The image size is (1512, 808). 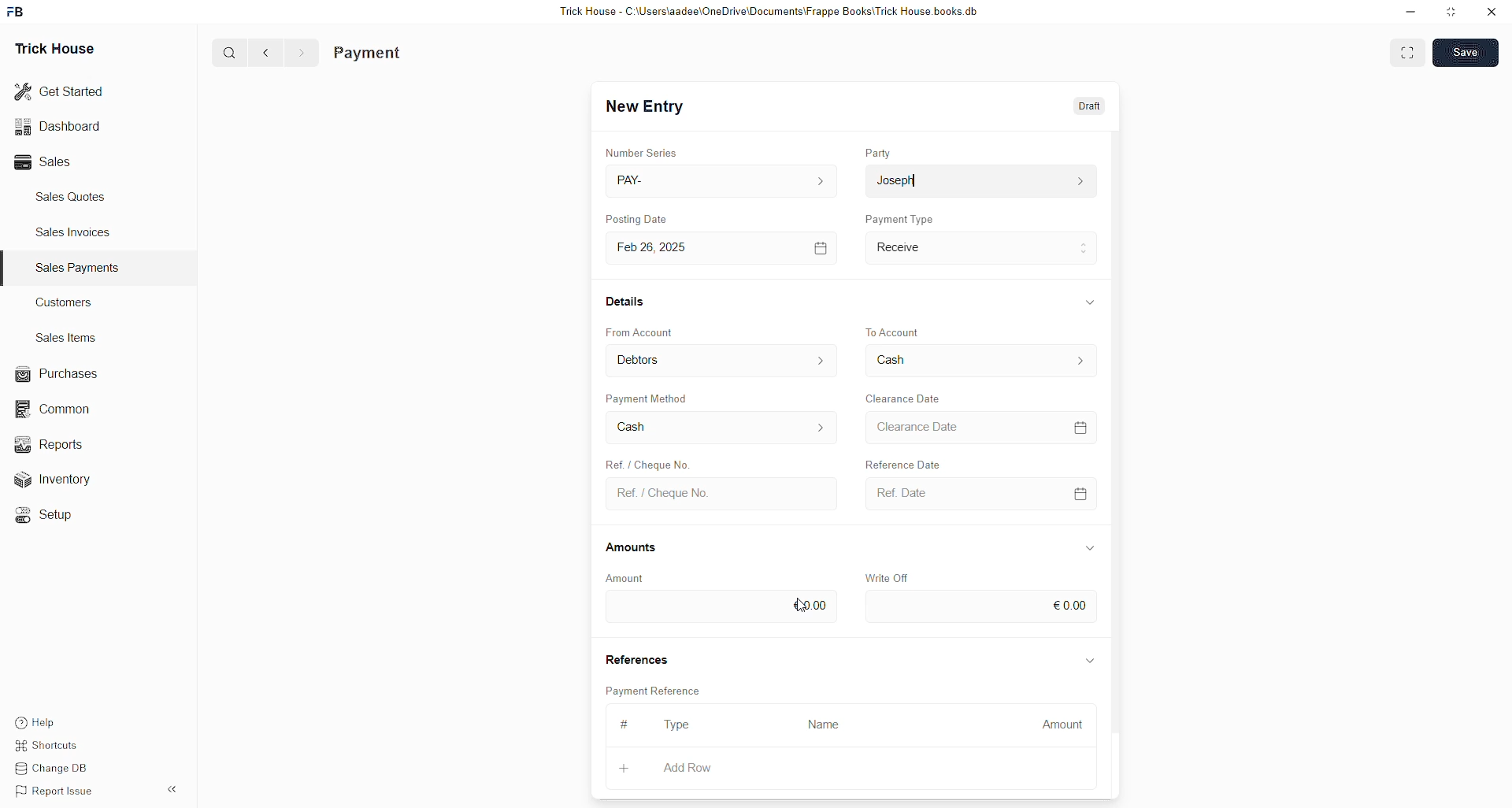 What do you see at coordinates (67, 338) in the screenshot?
I see `Sales Items` at bounding box center [67, 338].